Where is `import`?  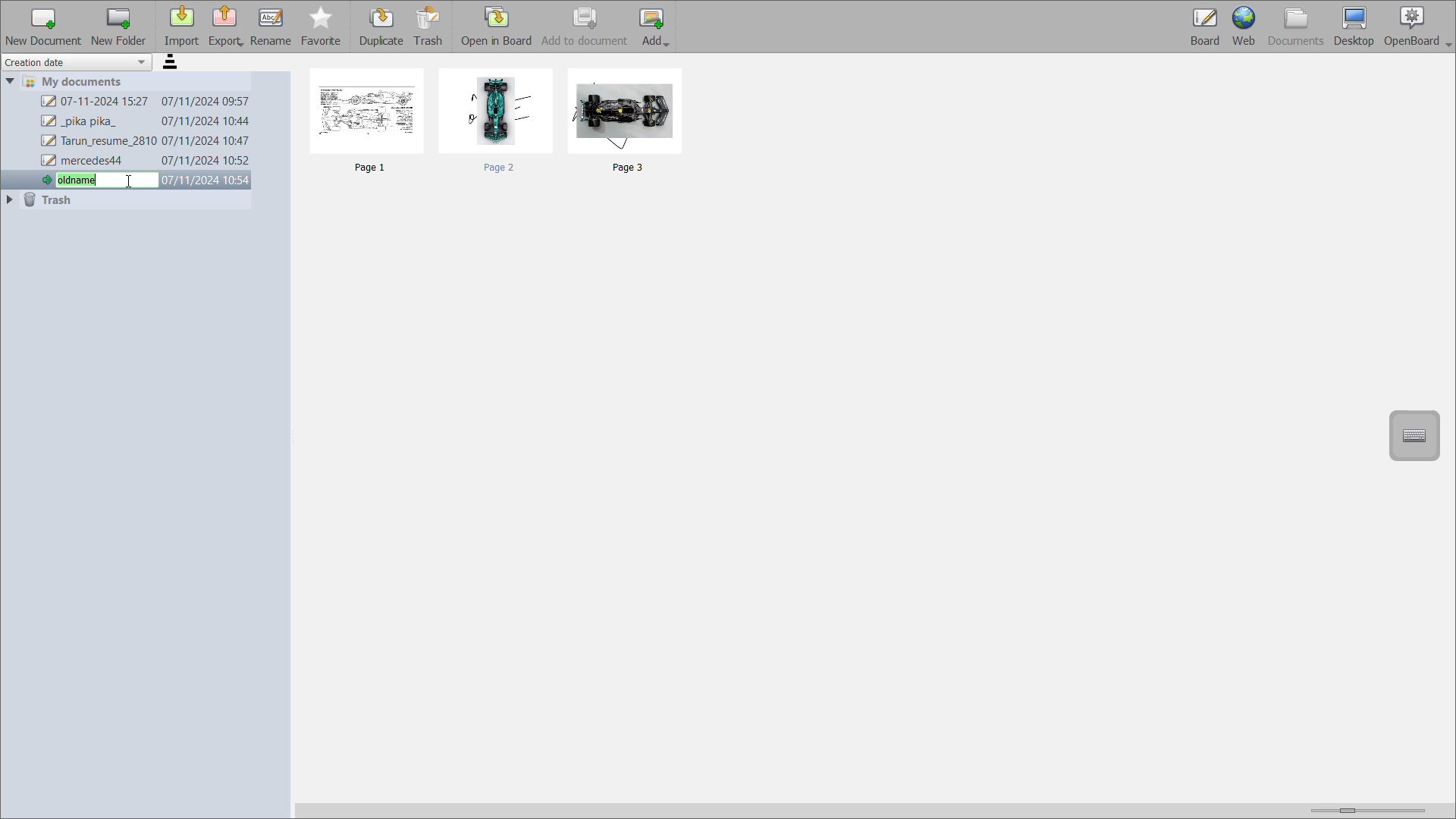 import is located at coordinates (181, 27).